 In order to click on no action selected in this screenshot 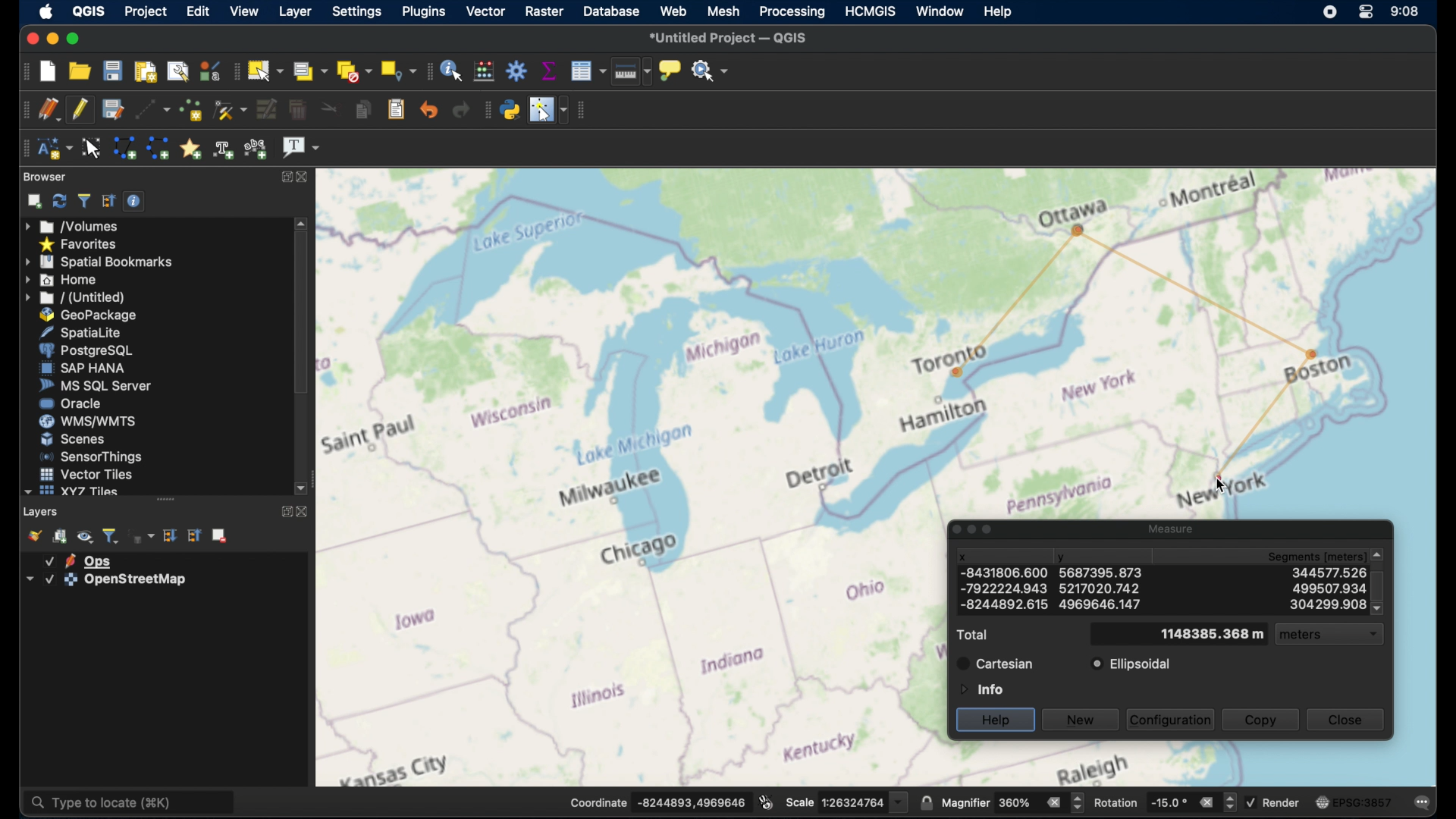, I will do `click(711, 69)`.